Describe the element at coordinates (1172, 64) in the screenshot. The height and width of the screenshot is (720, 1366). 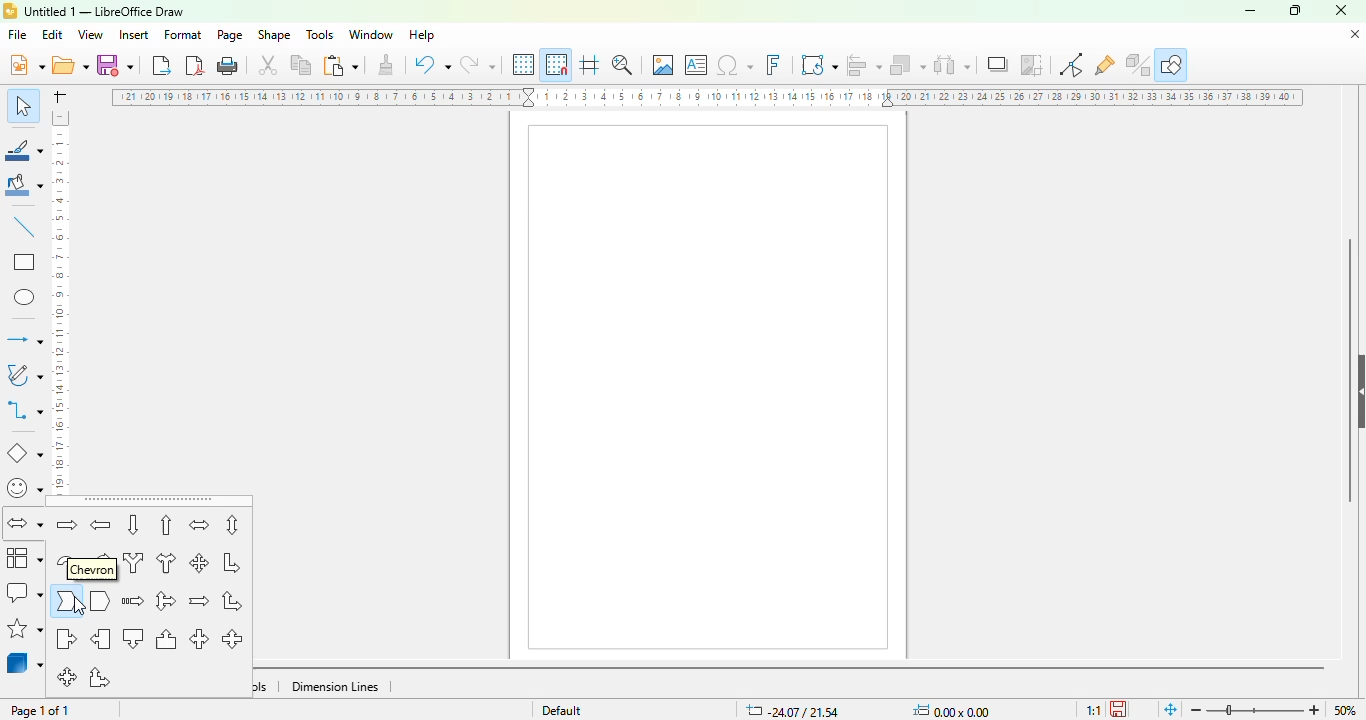
I see `show draw functions` at that location.